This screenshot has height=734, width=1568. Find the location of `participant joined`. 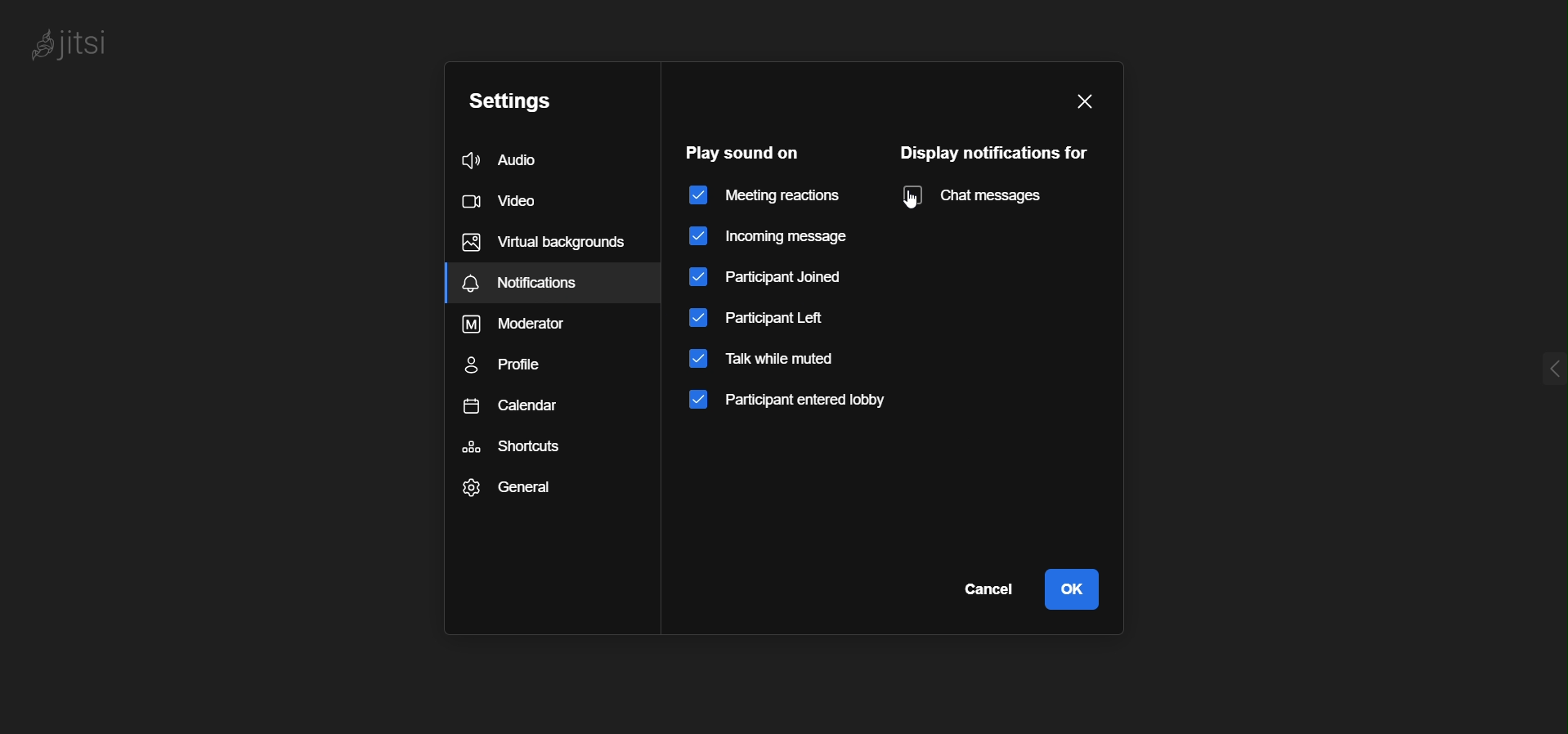

participant joined is located at coordinates (777, 277).